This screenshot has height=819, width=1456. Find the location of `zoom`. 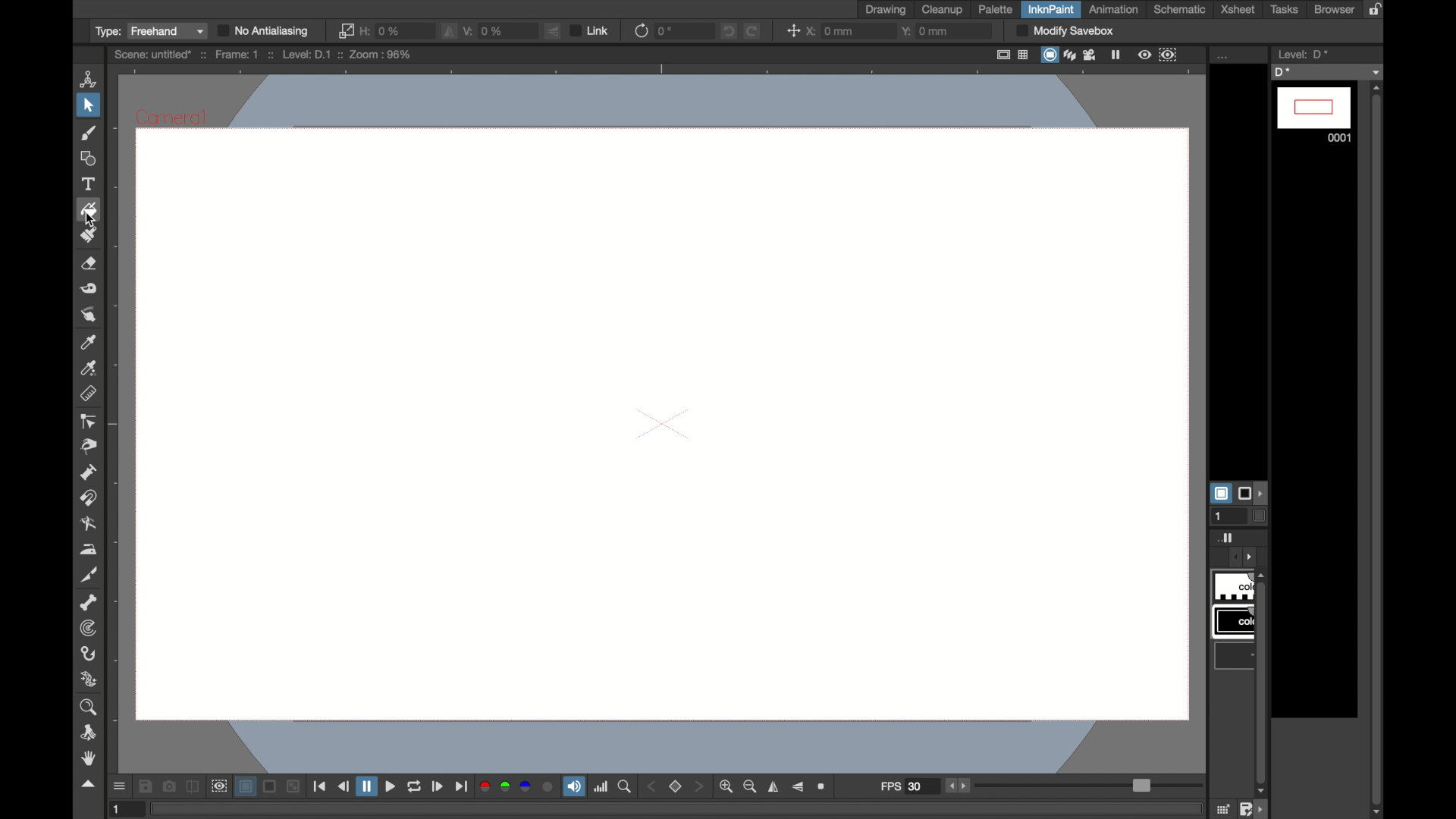

zoom is located at coordinates (824, 787).